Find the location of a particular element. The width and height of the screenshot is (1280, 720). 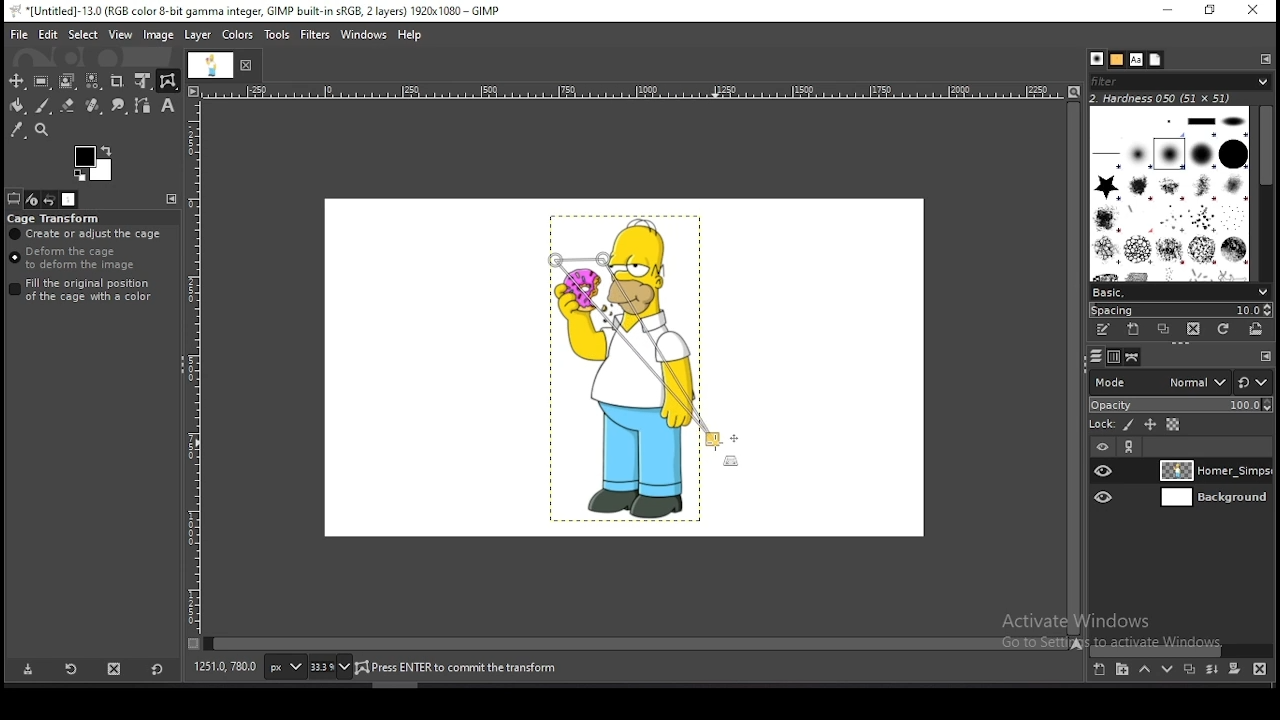

735.0, 195.0 is located at coordinates (225, 665).